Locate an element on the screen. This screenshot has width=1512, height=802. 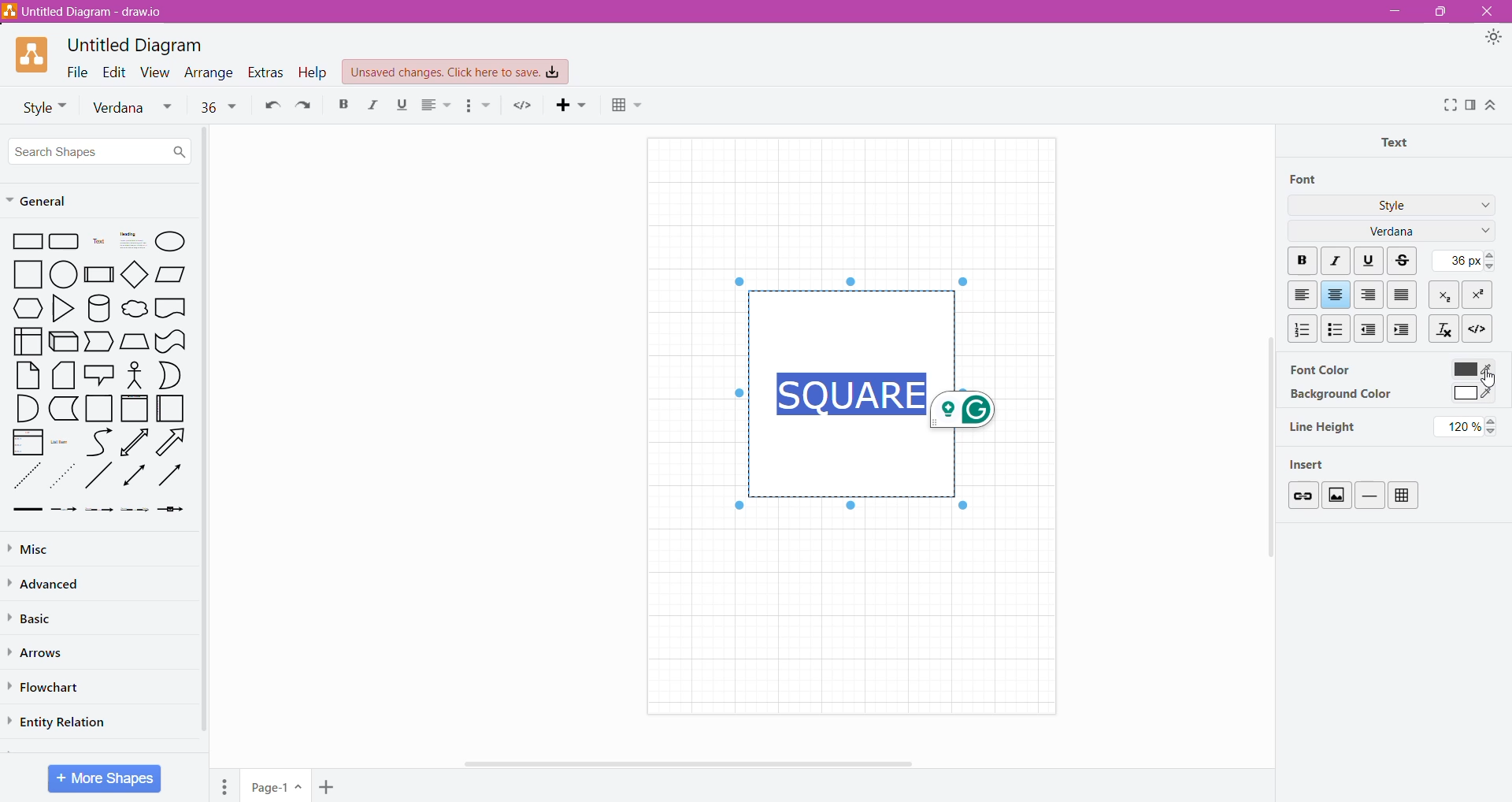
Quarter Circle is located at coordinates (25, 407).